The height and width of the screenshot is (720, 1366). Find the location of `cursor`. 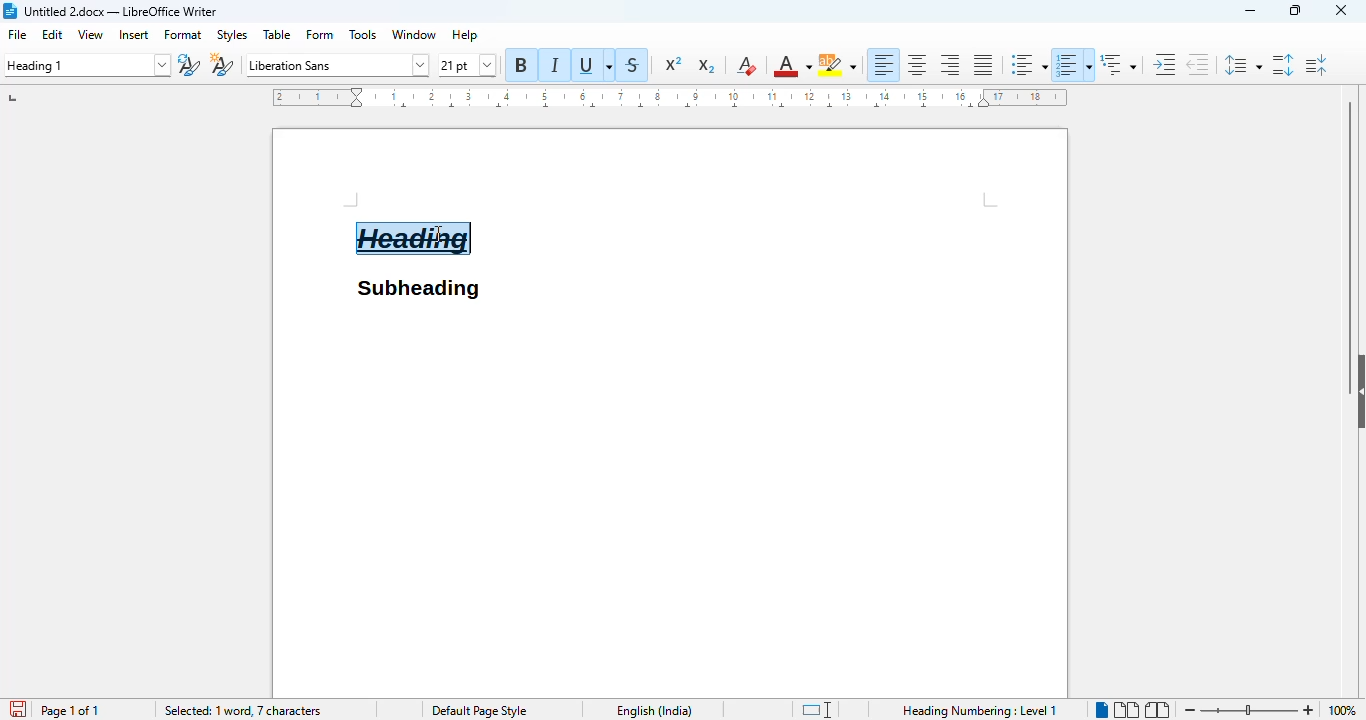

cursor is located at coordinates (438, 233).